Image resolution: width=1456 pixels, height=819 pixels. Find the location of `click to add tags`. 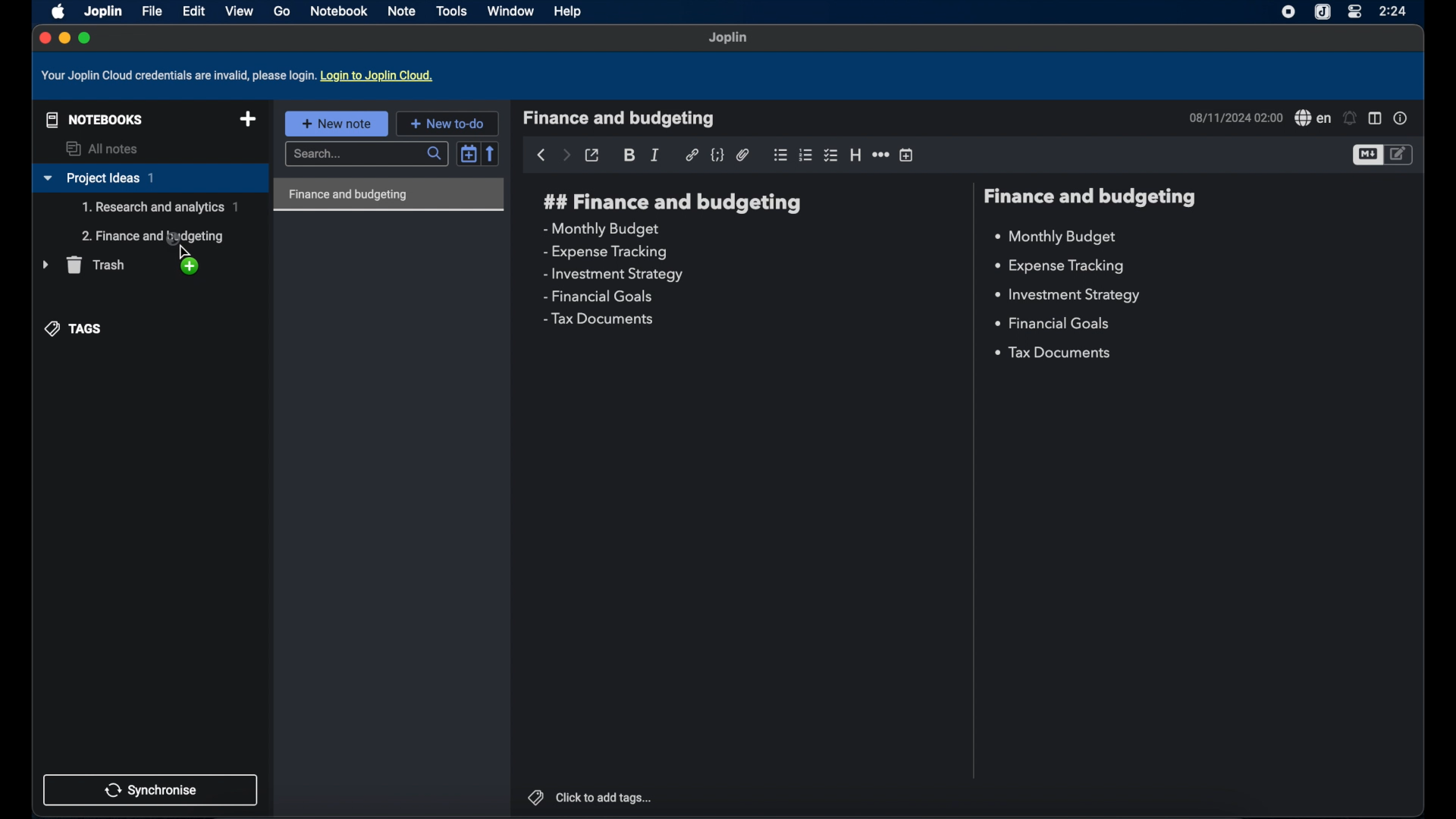

click to add tags is located at coordinates (589, 796).